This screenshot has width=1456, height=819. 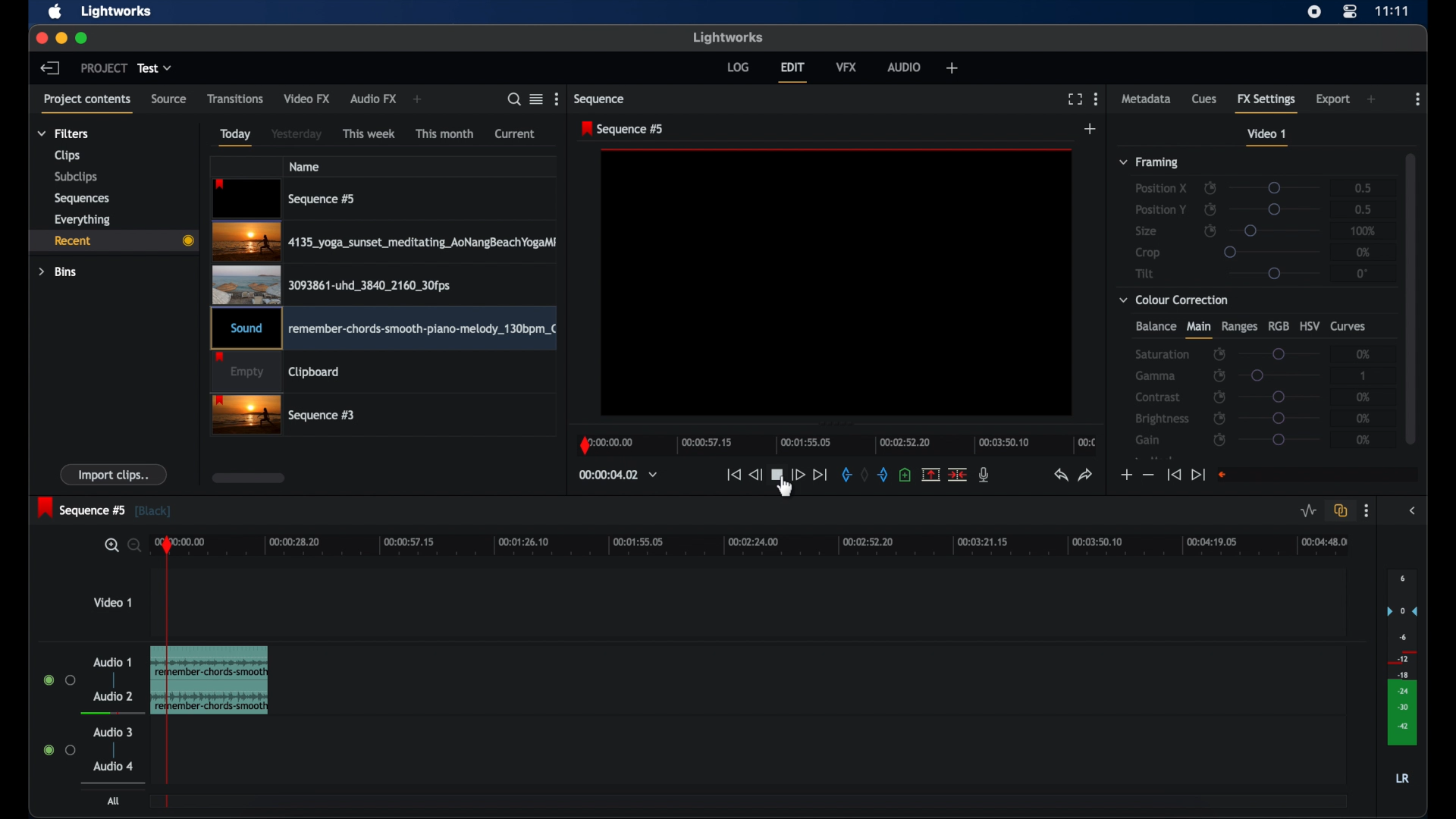 I want to click on radio buttons, so click(x=60, y=679).